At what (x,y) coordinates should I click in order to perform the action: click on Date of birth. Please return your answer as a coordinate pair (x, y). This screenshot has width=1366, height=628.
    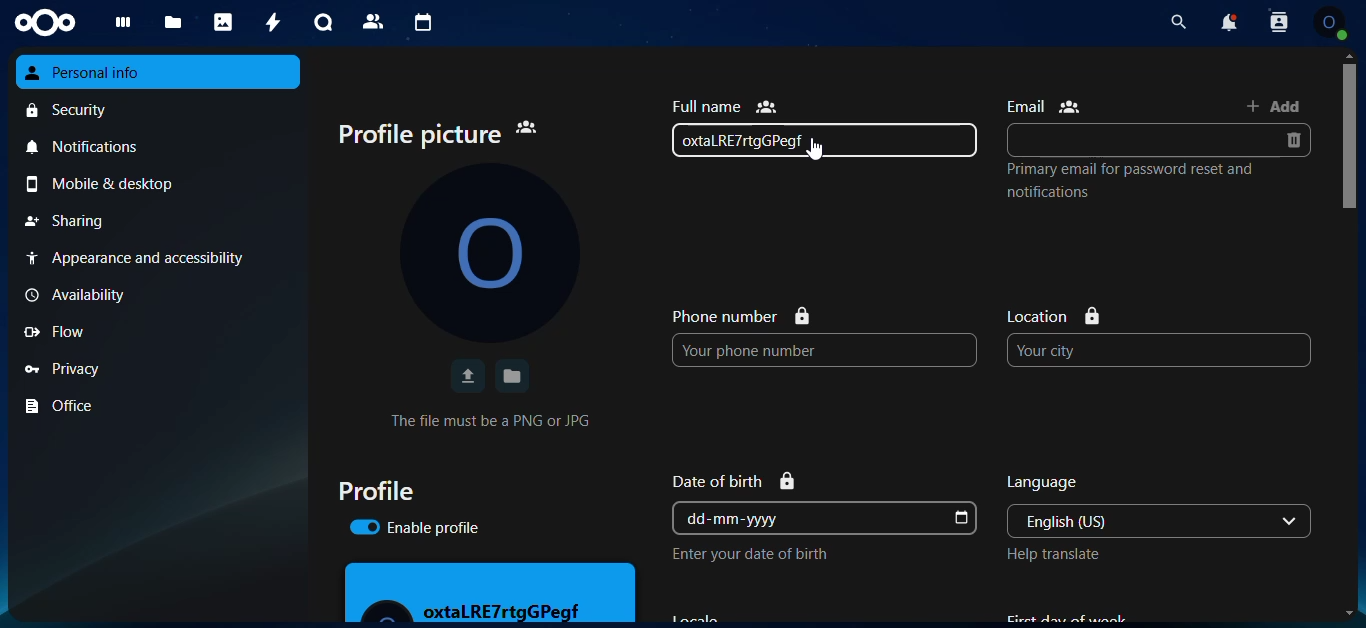
    Looking at the image, I should click on (734, 481).